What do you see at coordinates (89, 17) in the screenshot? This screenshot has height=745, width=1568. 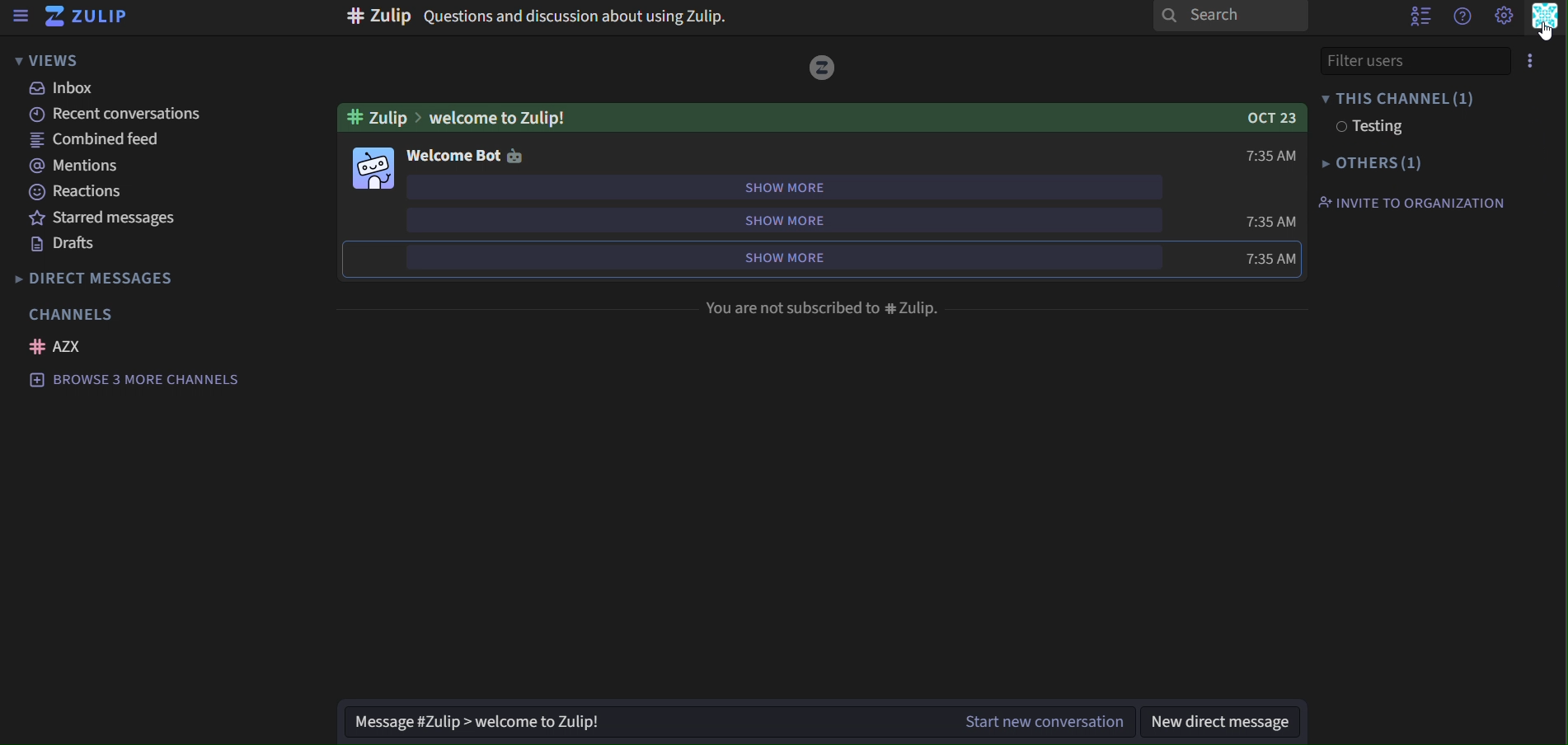 I see `zulip` at bounding box center [89, 17].